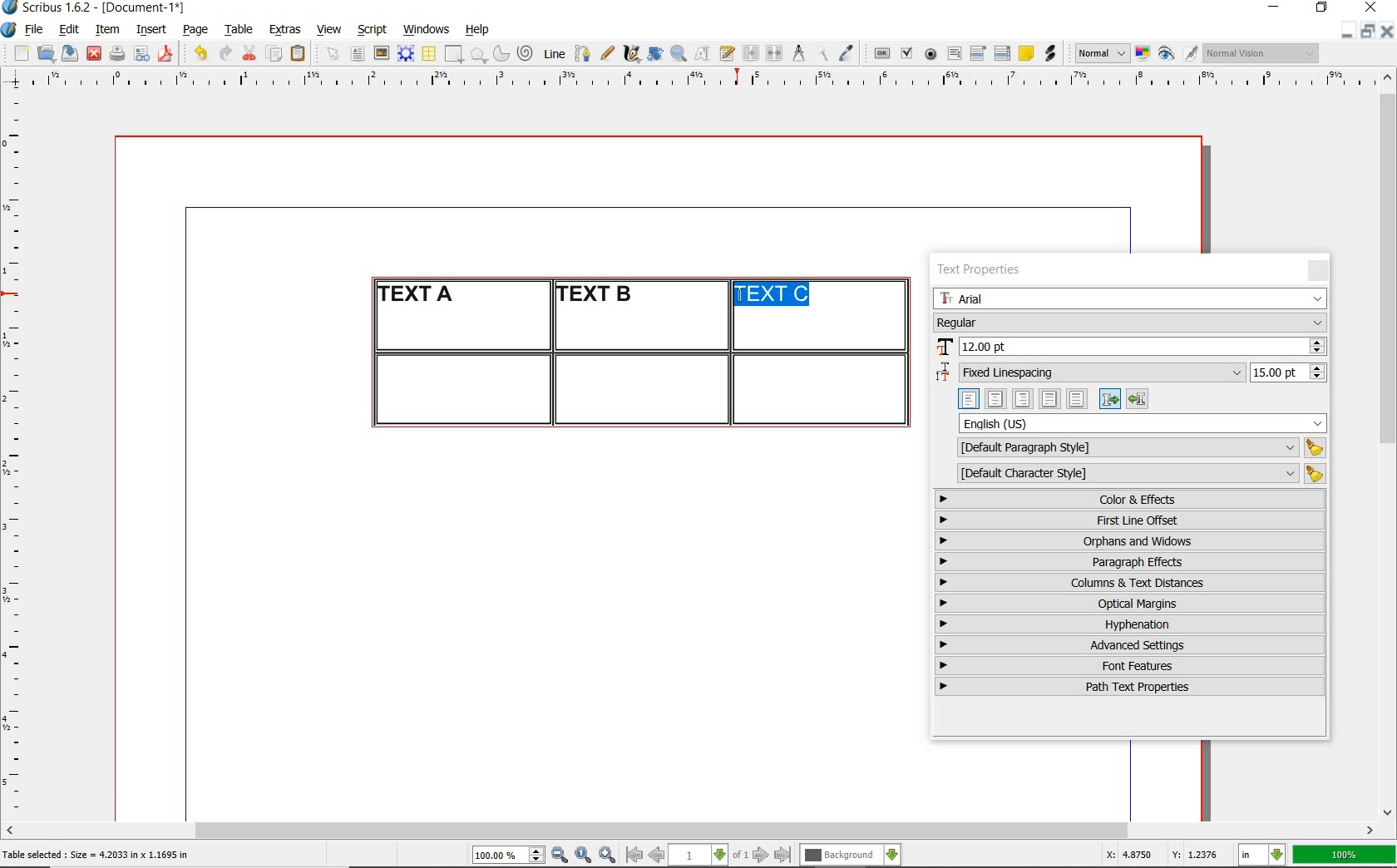  What do you see at coordinates (427, 30) in the screenshot?
I see `windows` at bounding box center [427, 30].